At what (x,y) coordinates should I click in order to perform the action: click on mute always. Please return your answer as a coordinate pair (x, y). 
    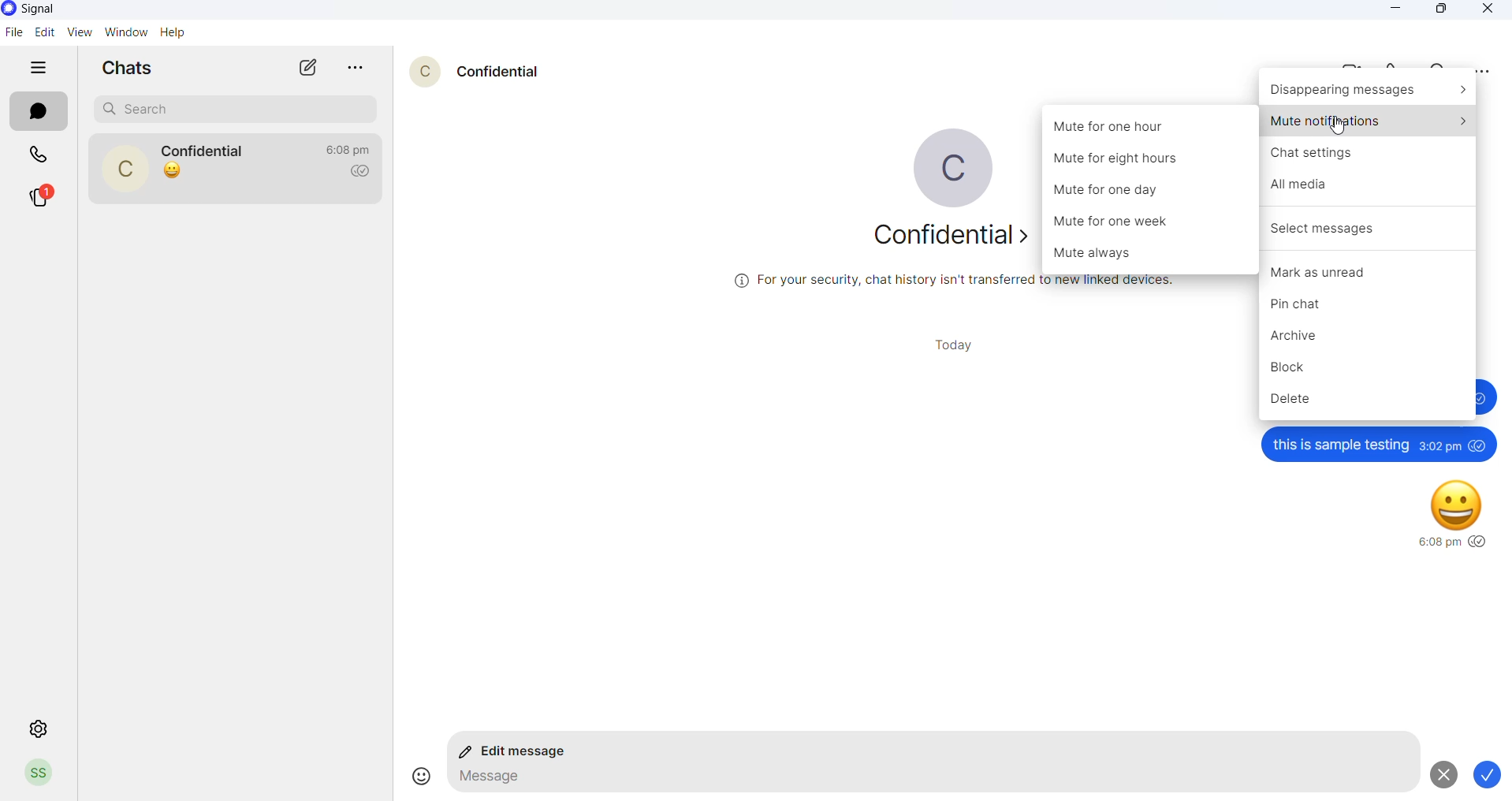
    Looking at the image, I should click on (1151, 253).